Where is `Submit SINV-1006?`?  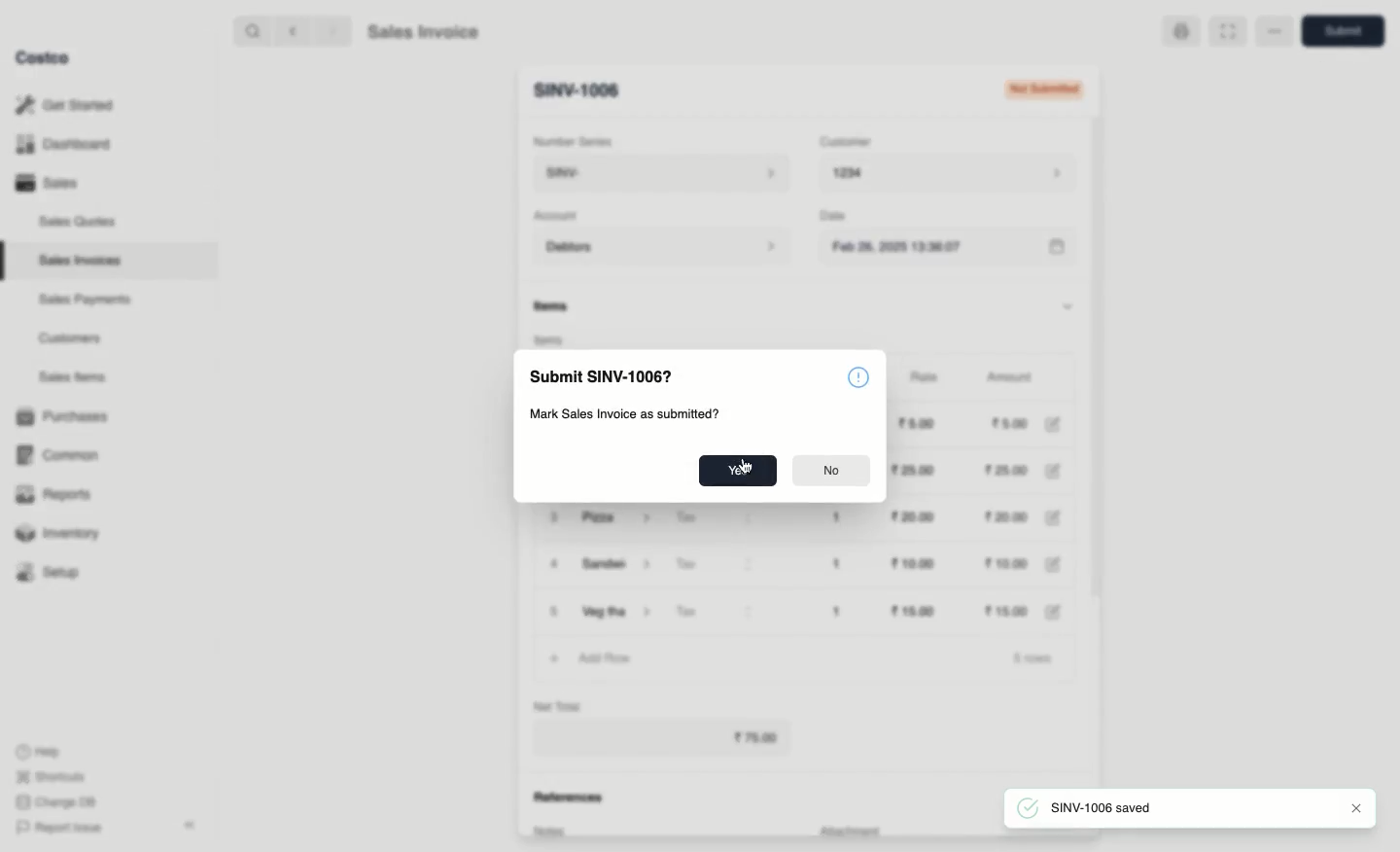
Submit SINV-1006? is located at coordinates (603, 376).